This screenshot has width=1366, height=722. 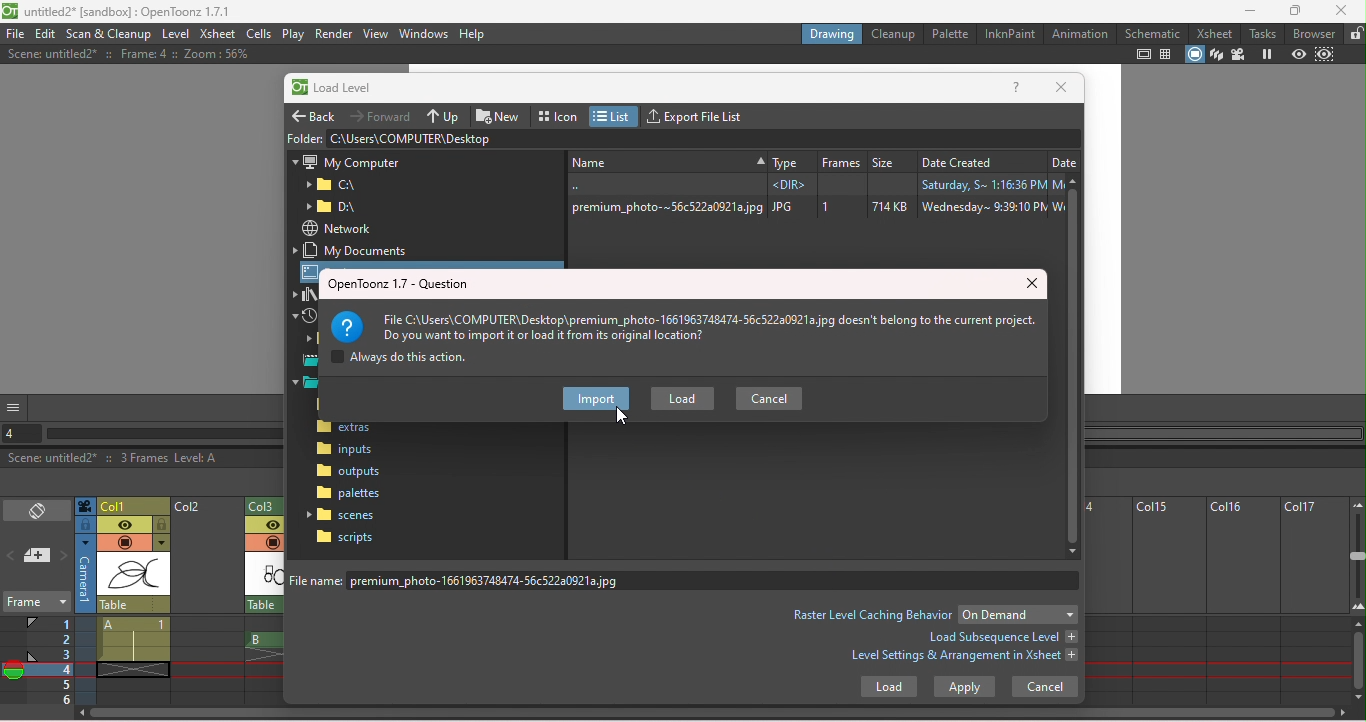 What do you see at coordinates (12, 558) in the screenshot?
I see `Previous memo` at bounding box center [12, 558].